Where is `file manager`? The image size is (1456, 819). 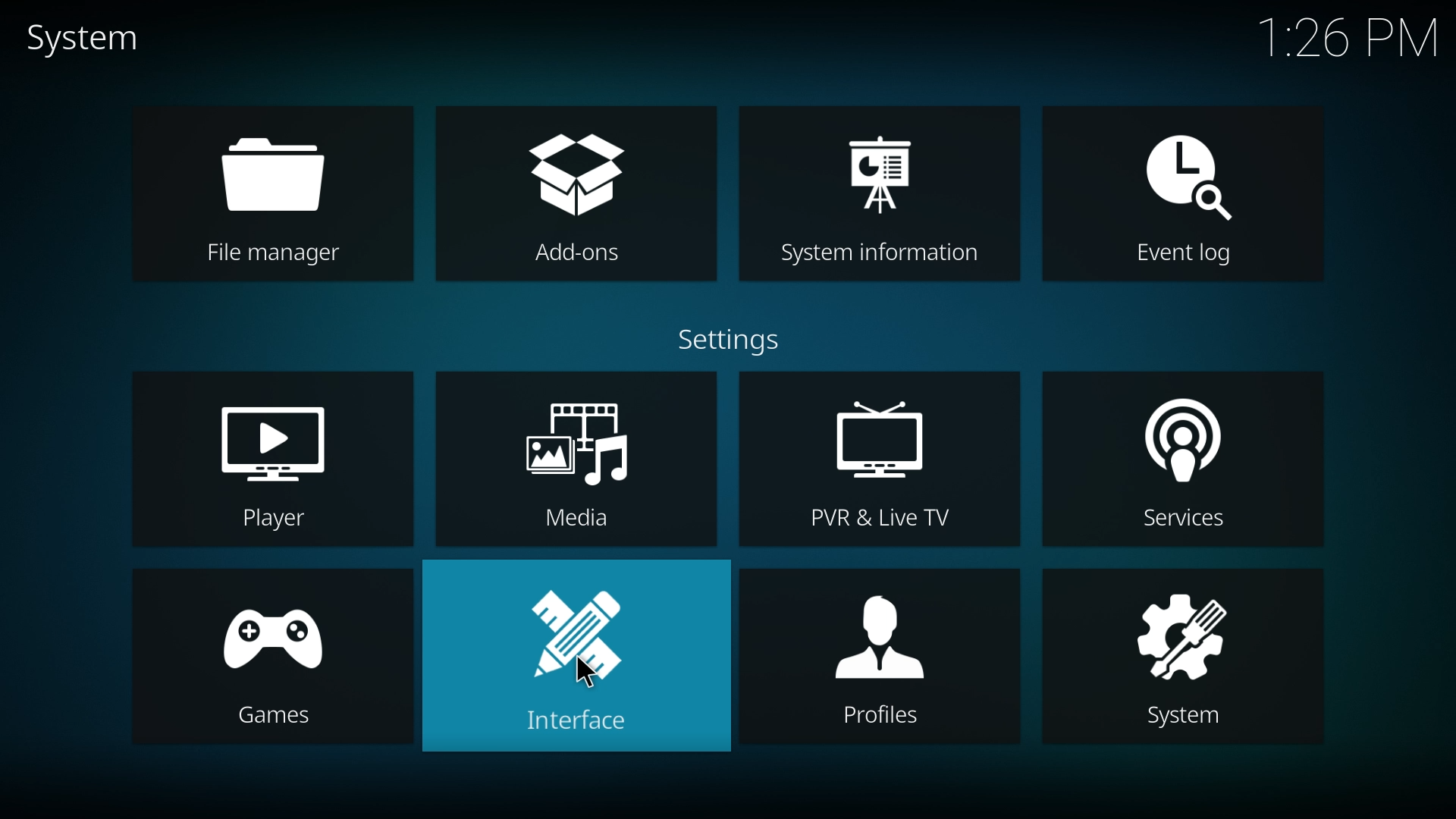 file manager is located at coordinates (274, 193).